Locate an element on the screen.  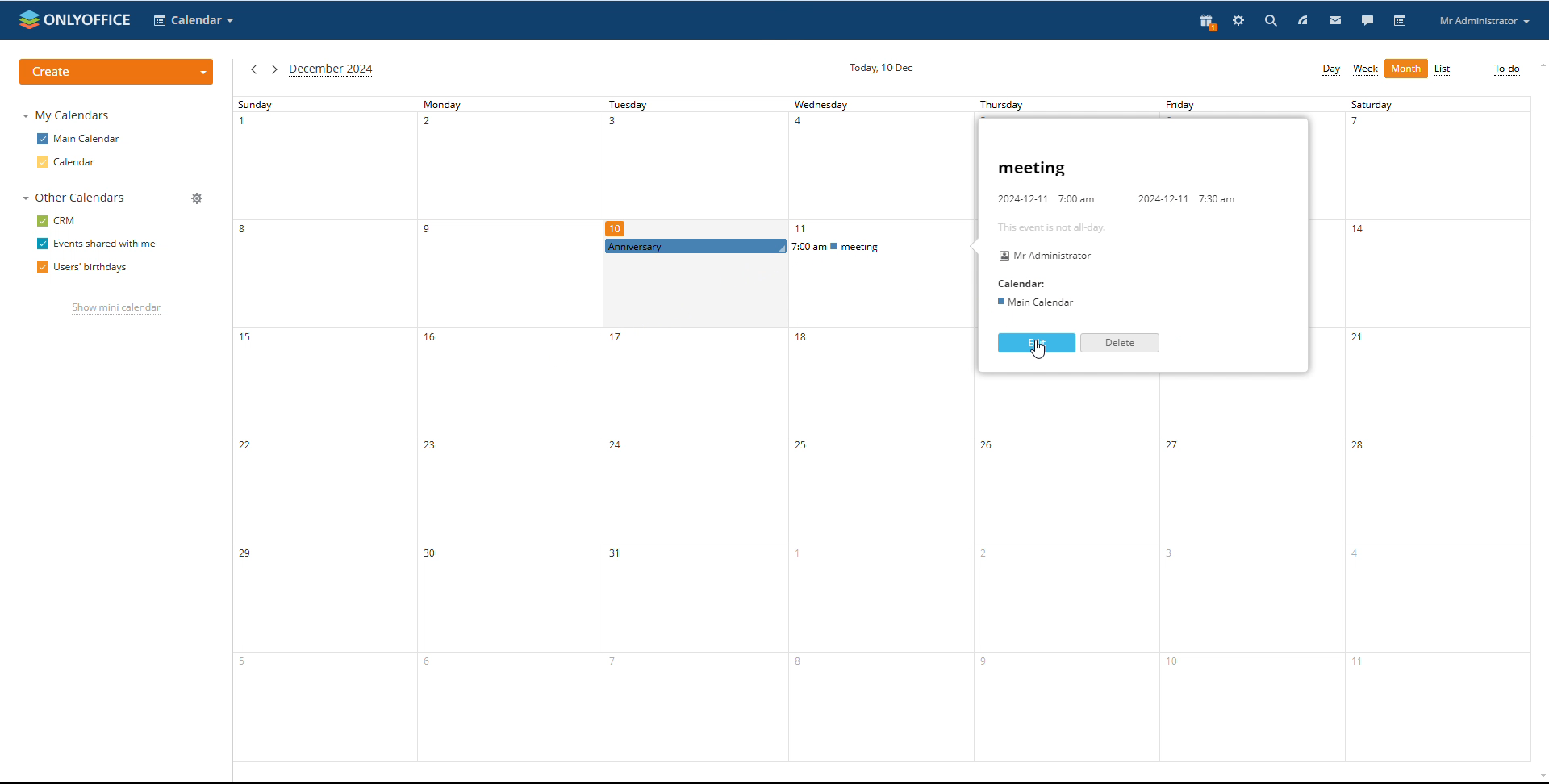
scheduled events is located at coordinates (789, 246).